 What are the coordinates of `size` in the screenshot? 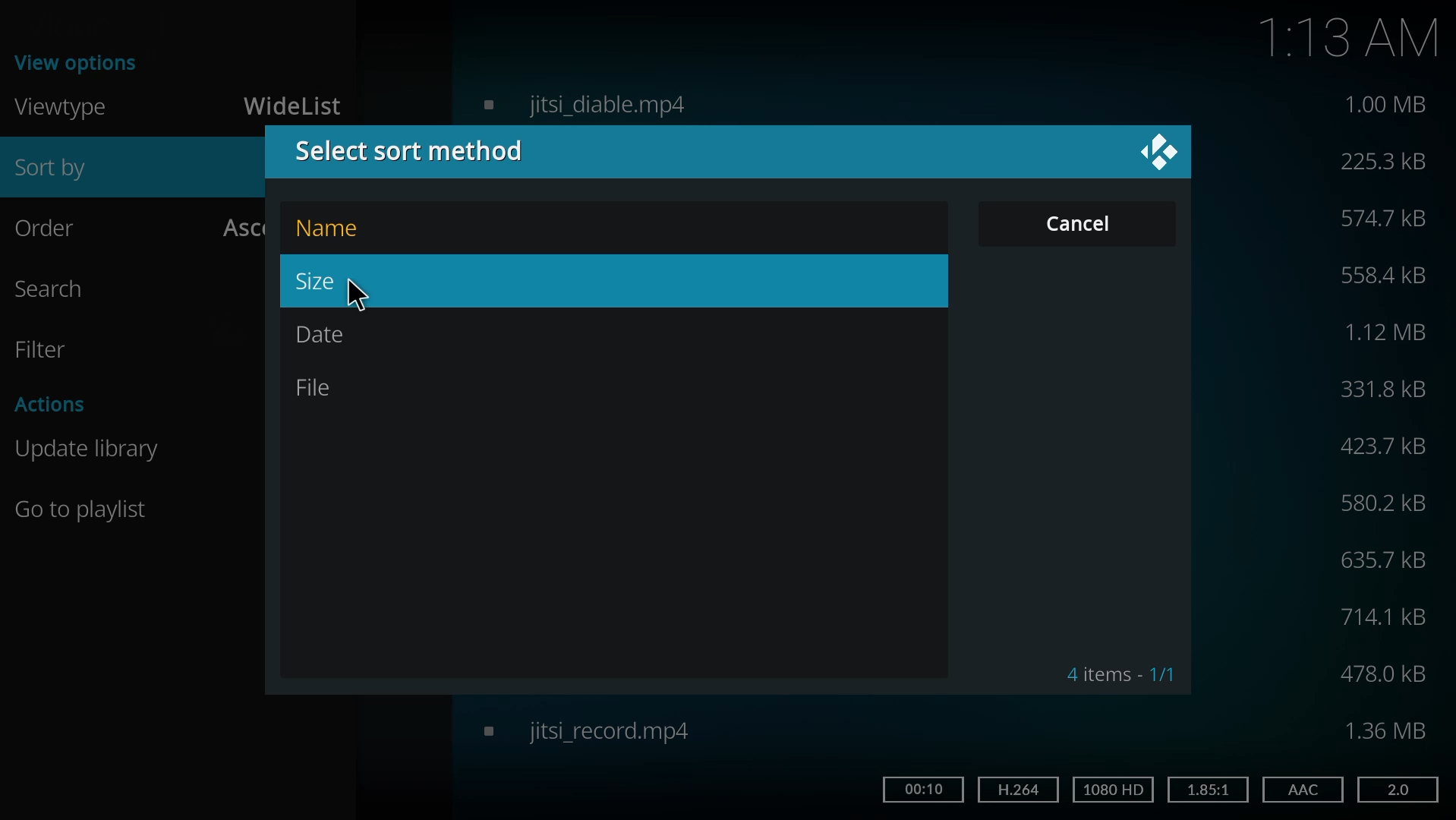 It's located at (1376, 617).